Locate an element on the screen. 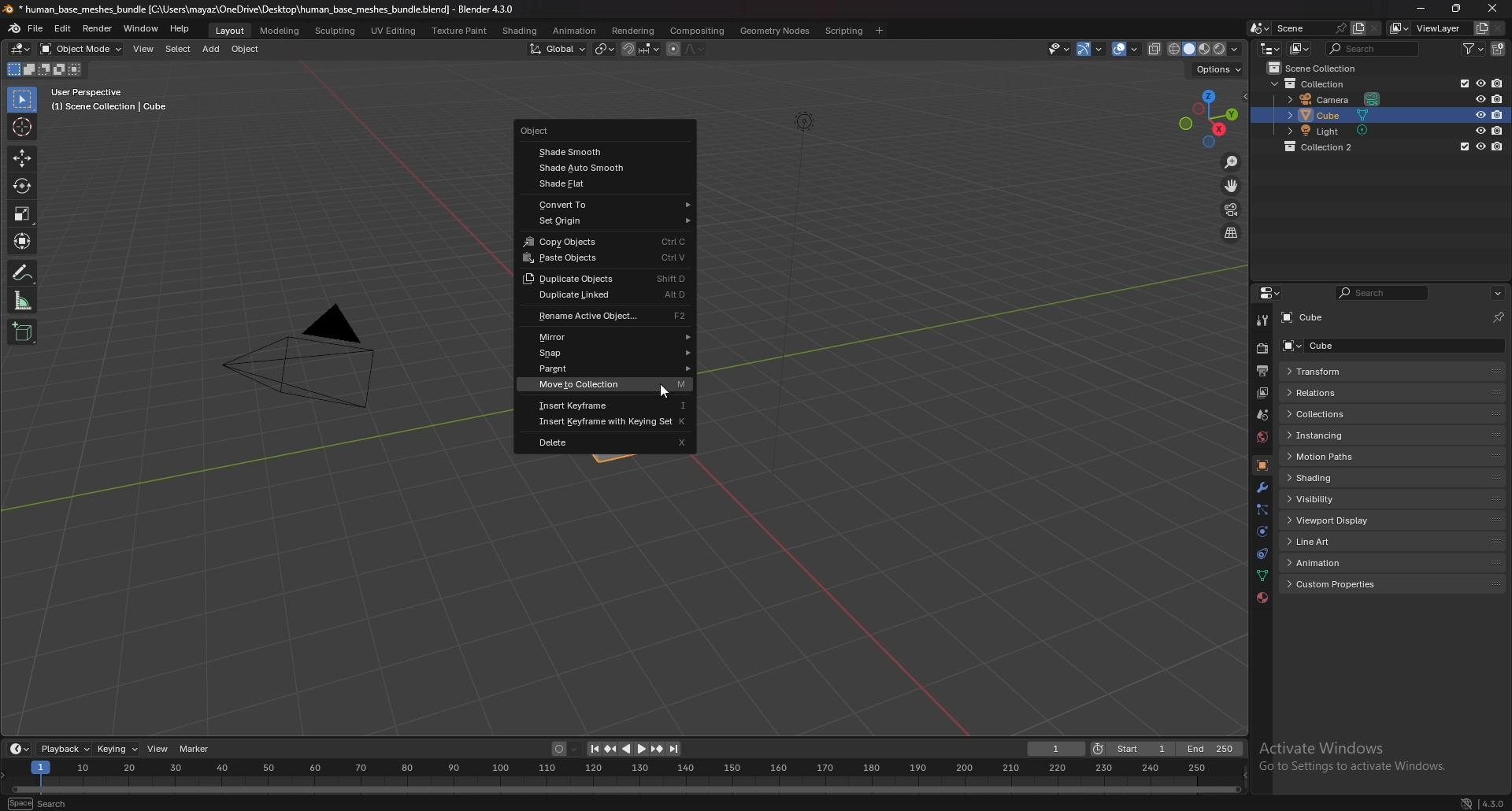  annotation is located at coordinates (24, 272).